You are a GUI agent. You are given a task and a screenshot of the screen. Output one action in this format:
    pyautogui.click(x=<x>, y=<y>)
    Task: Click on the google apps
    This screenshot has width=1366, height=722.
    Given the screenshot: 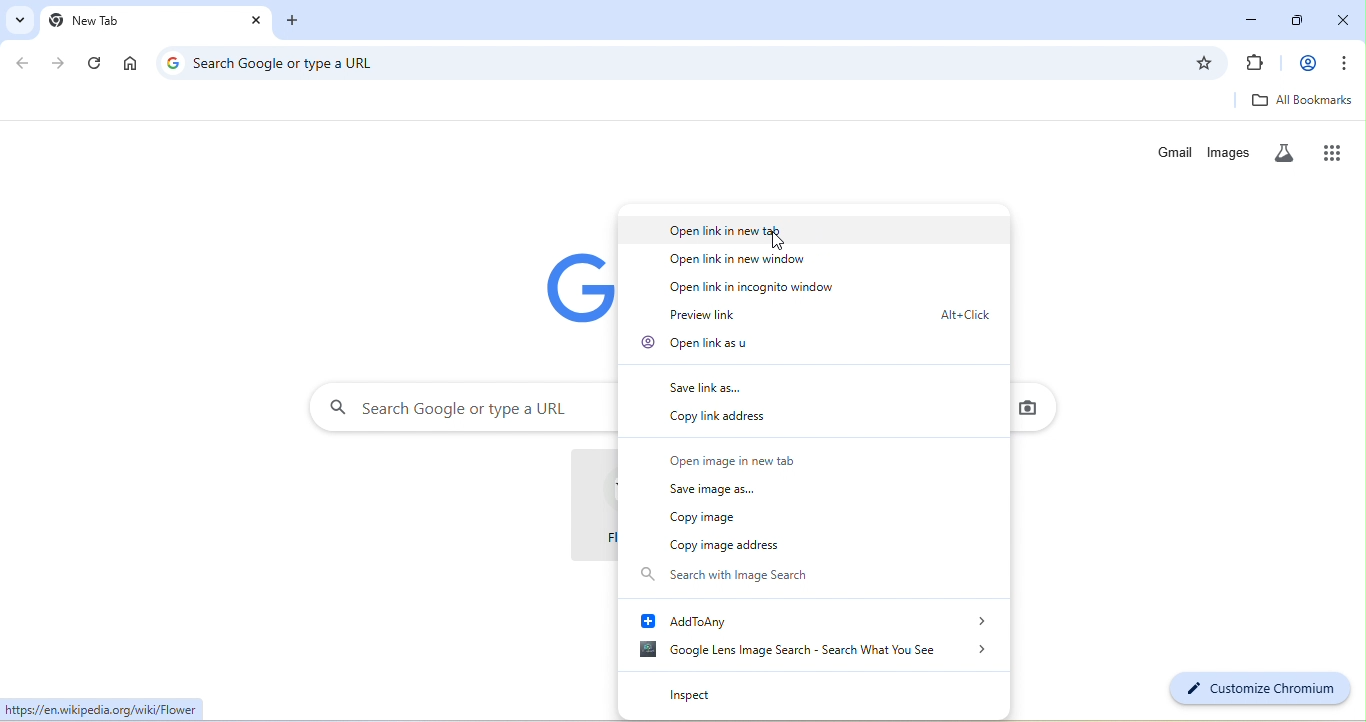 What is the action you would take?
    pyautogui.click(x=1338, y=151)
    